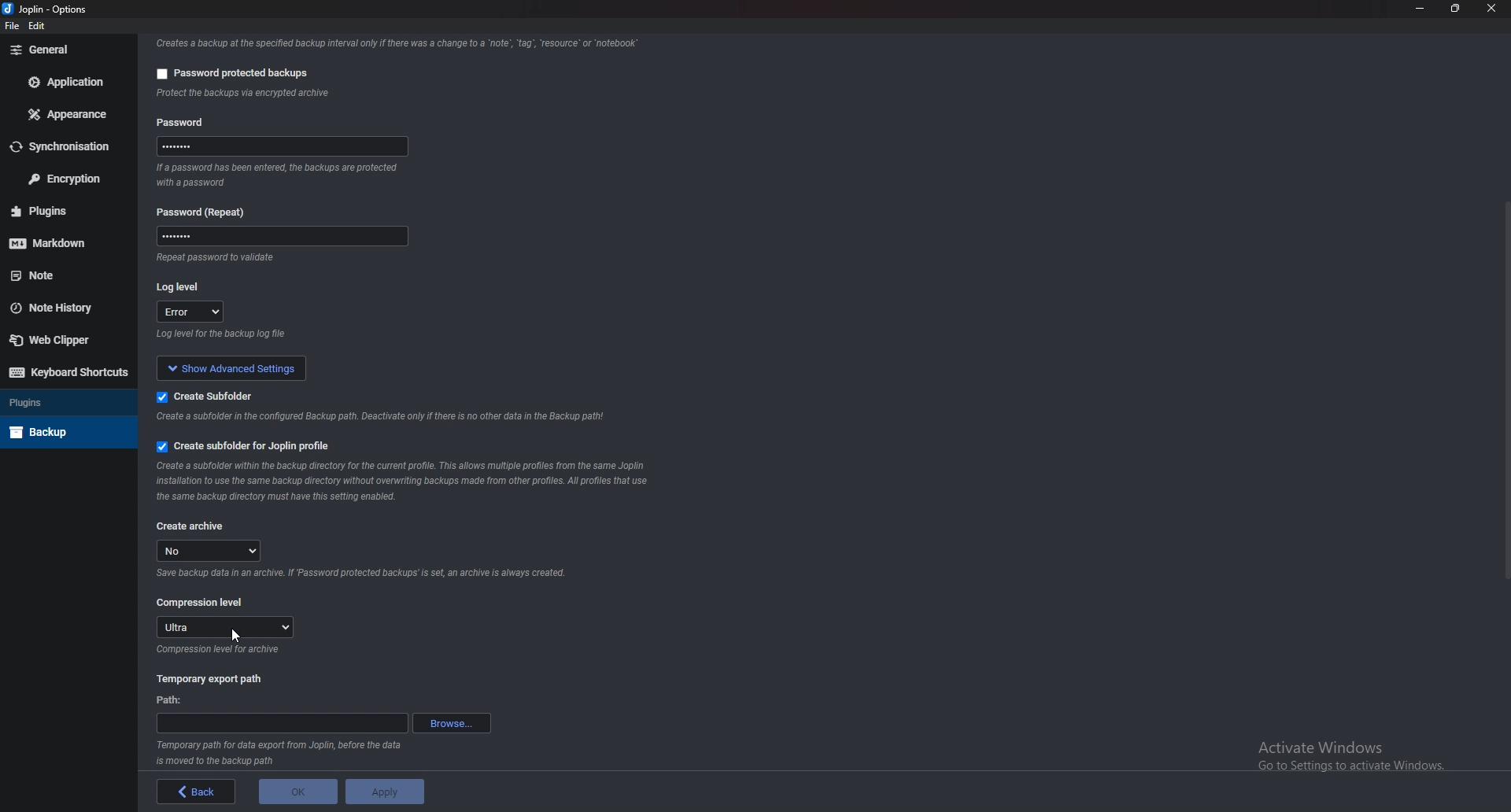 This screenshot has width=1511, height=812. I want to click on show advanced setting, so click(242, 367).